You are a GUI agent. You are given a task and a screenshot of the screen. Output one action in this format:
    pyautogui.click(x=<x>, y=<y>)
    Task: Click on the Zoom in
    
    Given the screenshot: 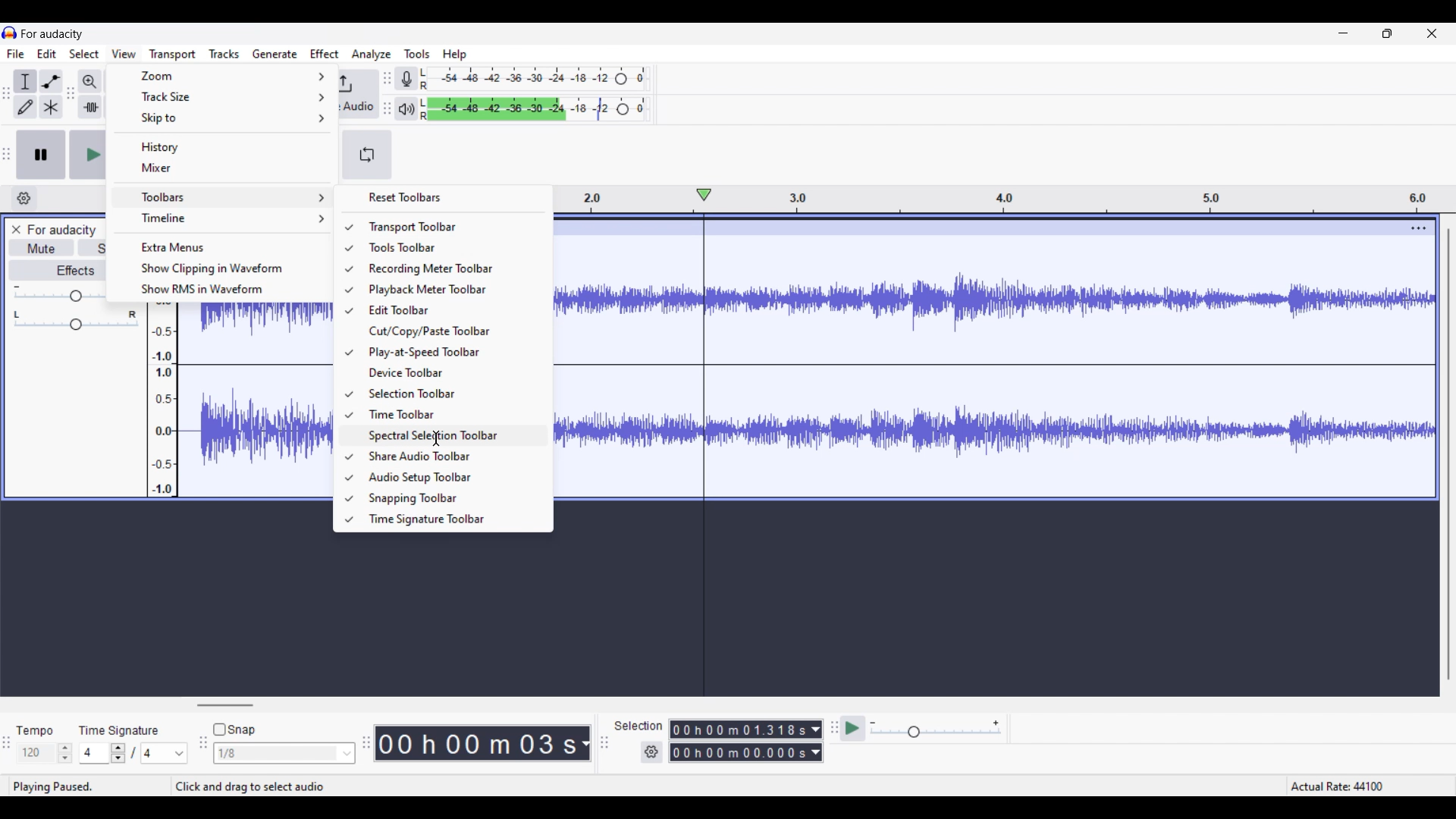 What is the action you would take?
    pyautogui.click(x=89, y=82)
    